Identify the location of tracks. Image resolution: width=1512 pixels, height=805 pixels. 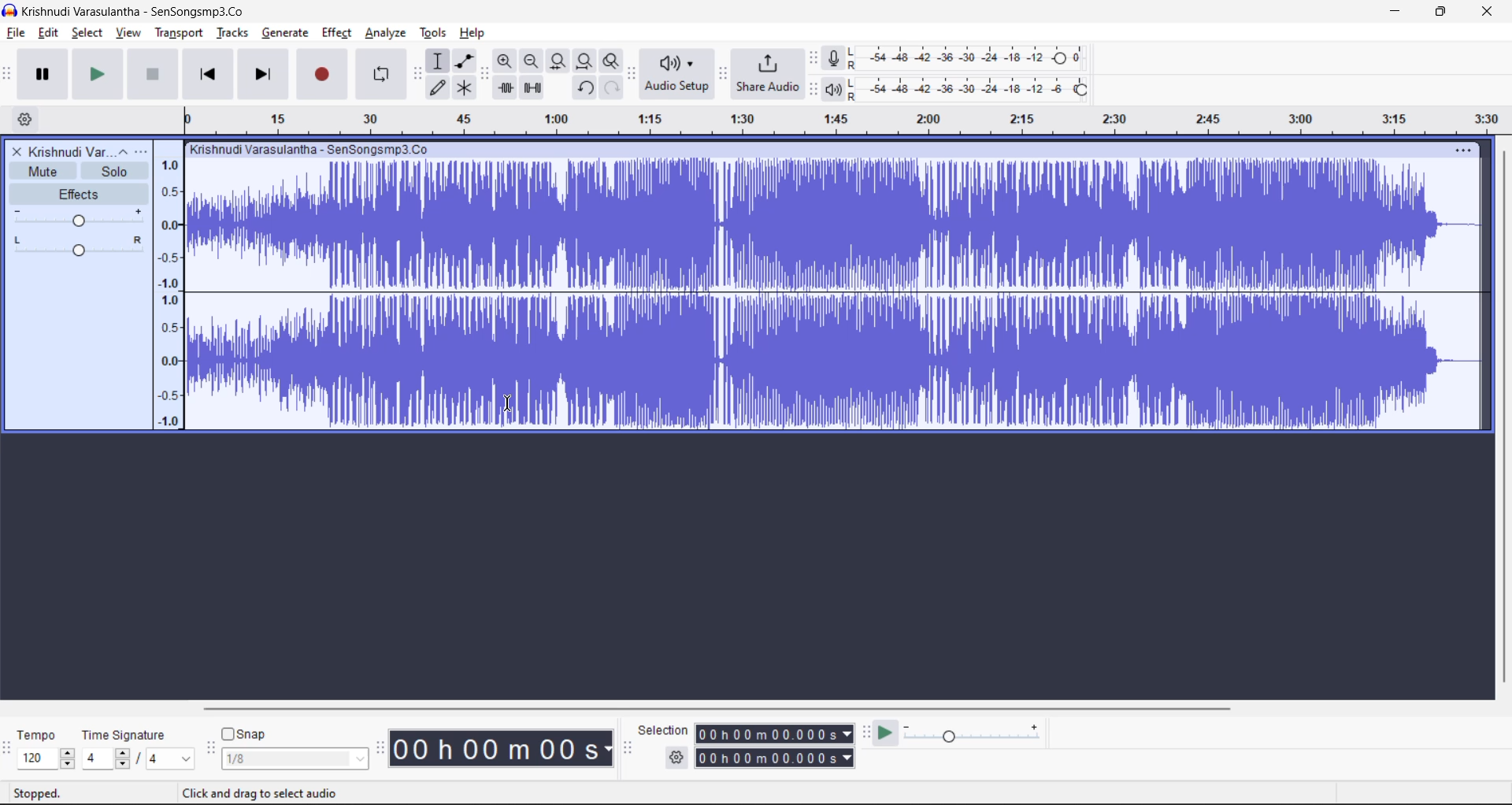
(232, 32).